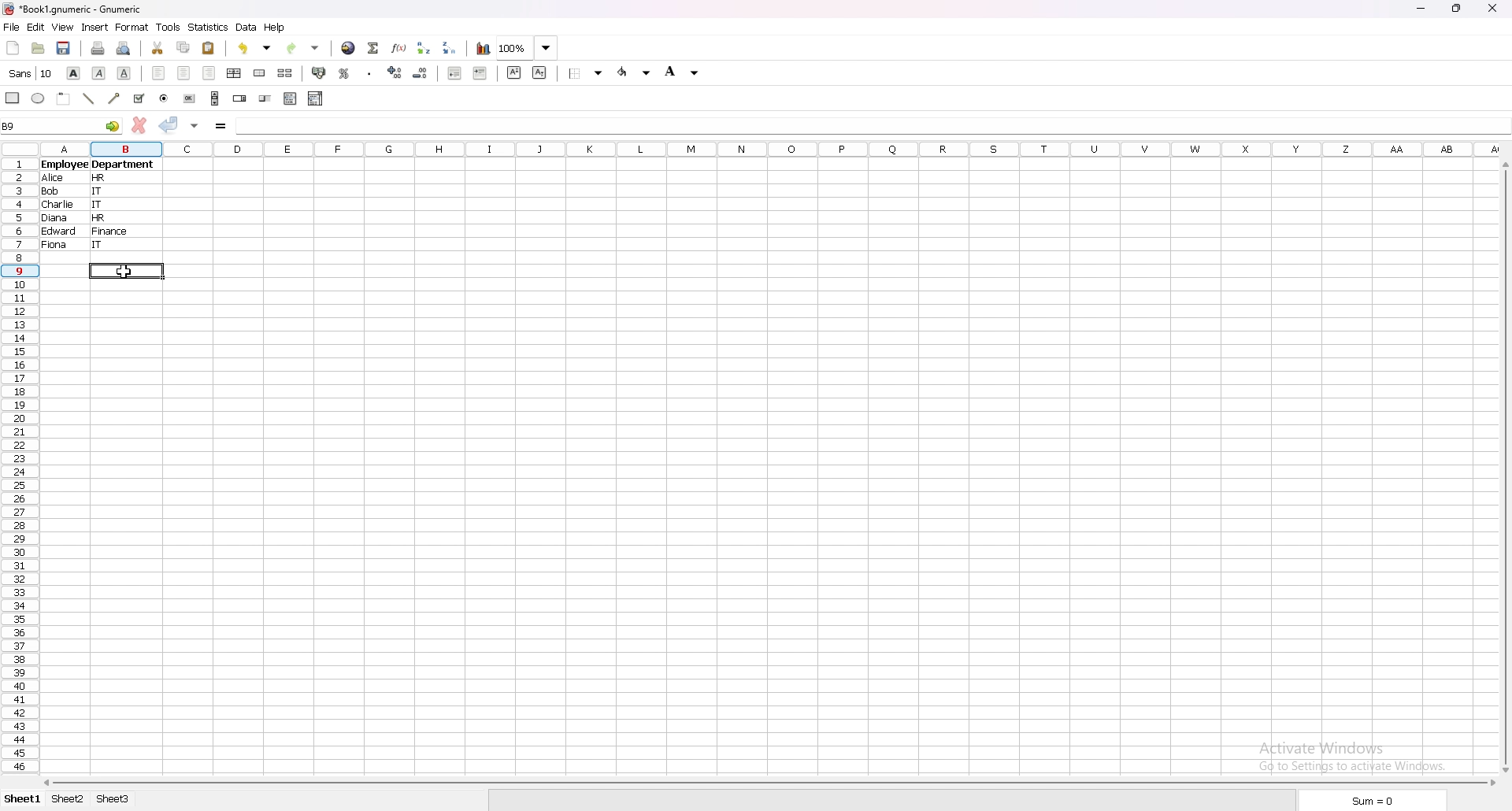 The image size is (1512, 811). Describe the element at coordinates (159, 72) in the screenshot. I see `left align` at that location.